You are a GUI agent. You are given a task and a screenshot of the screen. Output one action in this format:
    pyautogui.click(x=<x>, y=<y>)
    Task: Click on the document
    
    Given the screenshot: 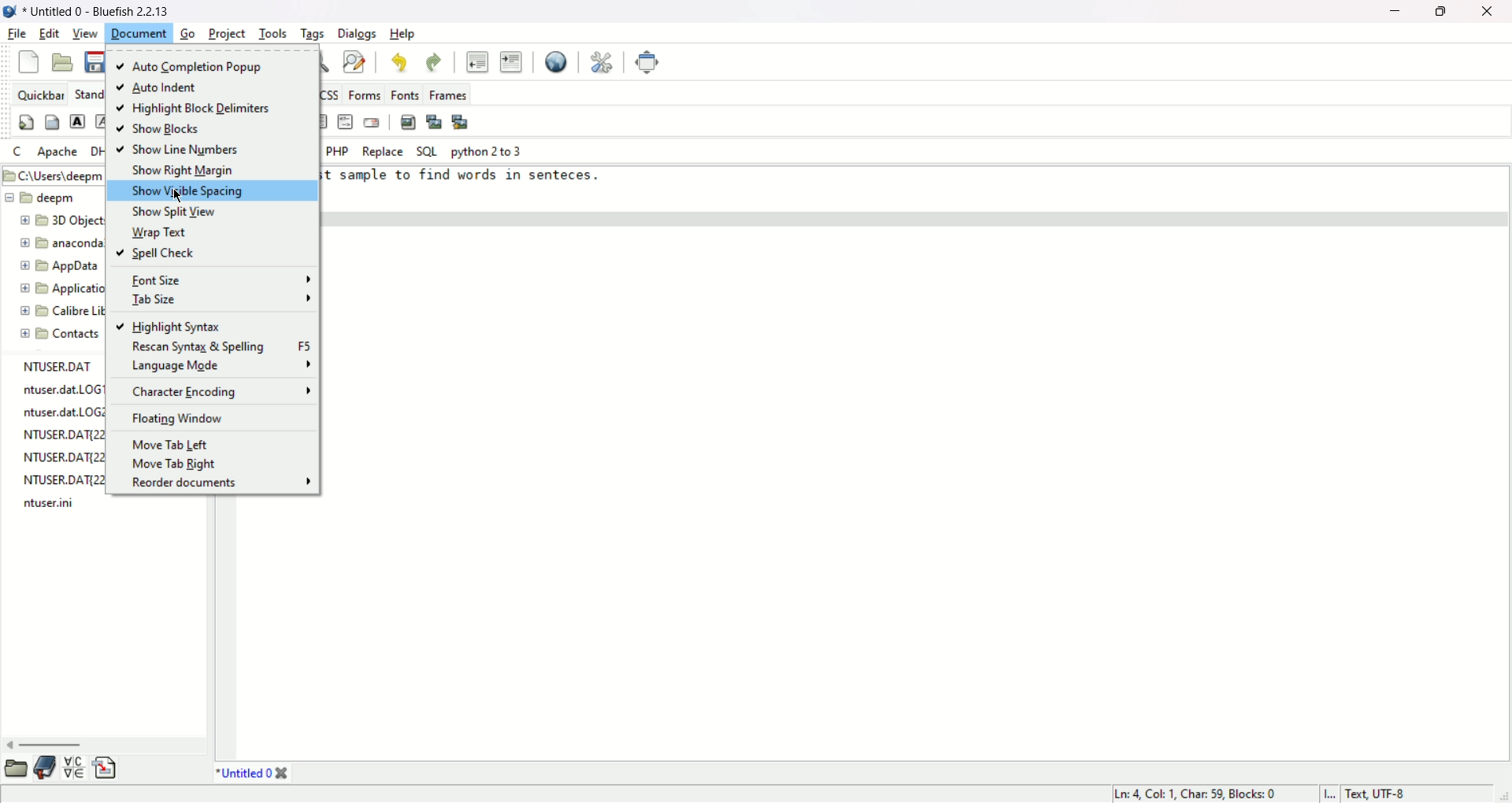 What is the action you would take?
    pyautogui.click(x=139, y=32)
    